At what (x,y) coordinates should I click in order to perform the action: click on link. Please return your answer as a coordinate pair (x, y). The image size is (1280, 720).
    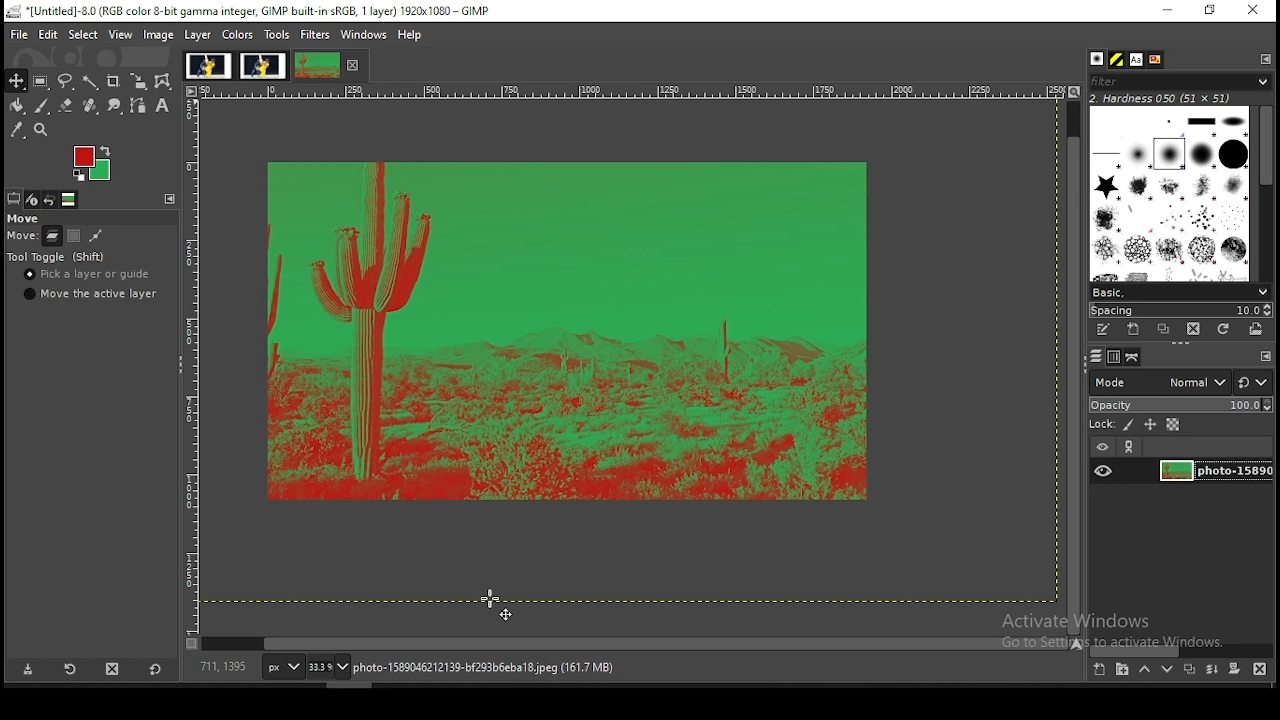
    Looking at the image, I should click on (1131, 447).